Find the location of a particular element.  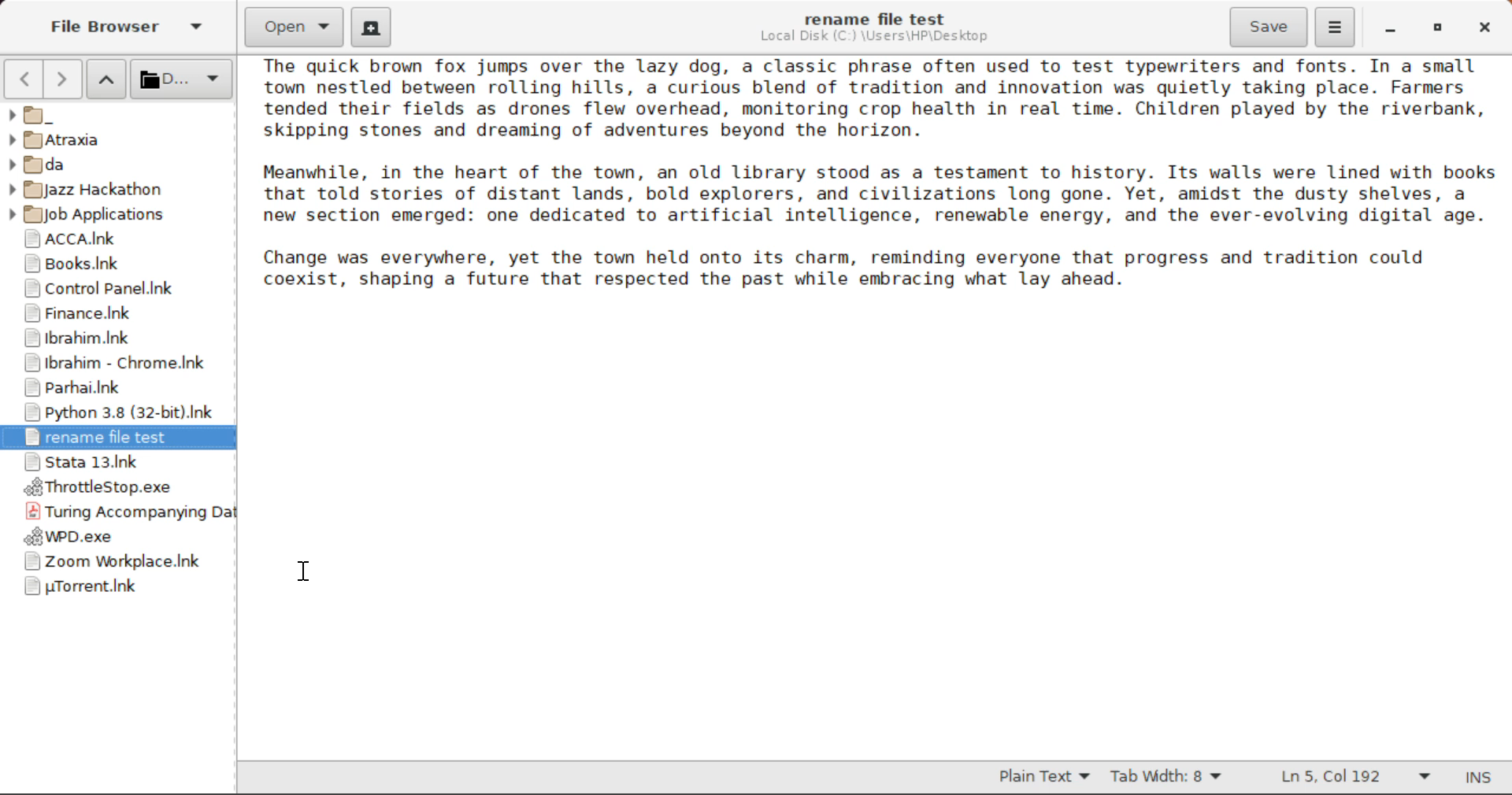

Jazz Hackathon Folder is located at coordinates (105, 190).